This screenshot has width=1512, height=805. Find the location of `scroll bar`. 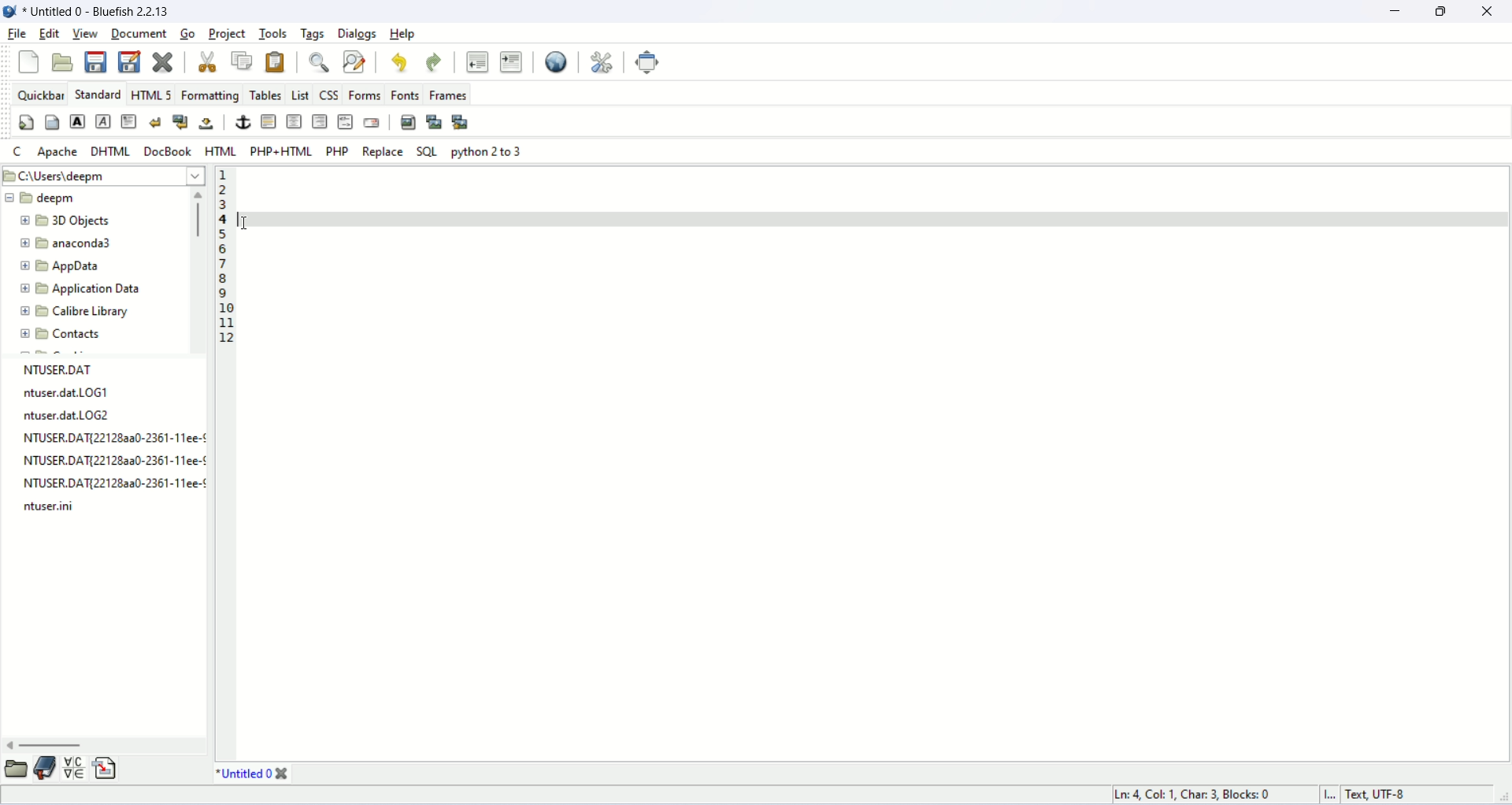

scroll bar is located at coordinates (200, 269).